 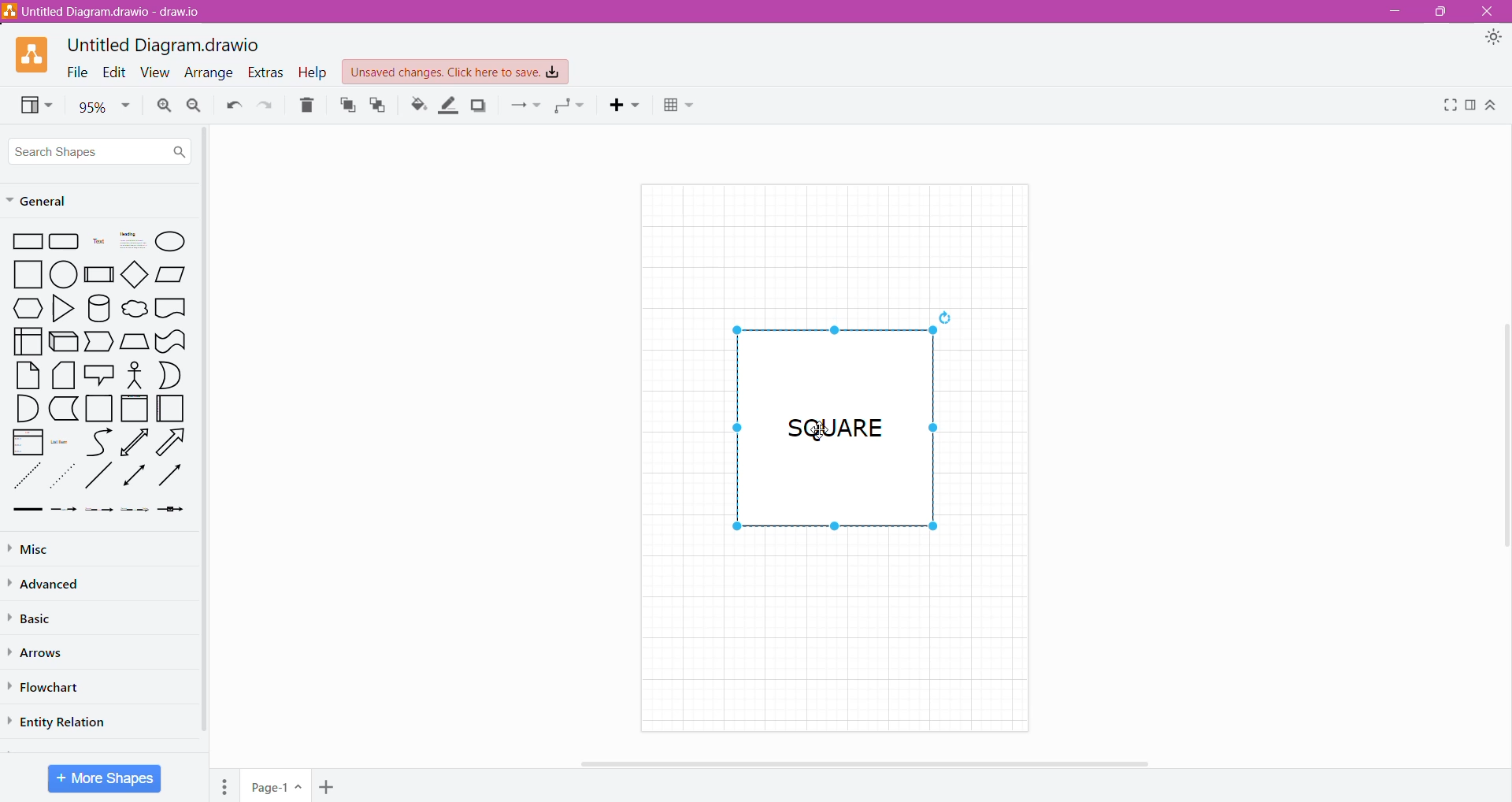 What do you see at coordinates (1399, 13) in the screenshot?
I see `Minimize` at bounding box center [1399, 13].